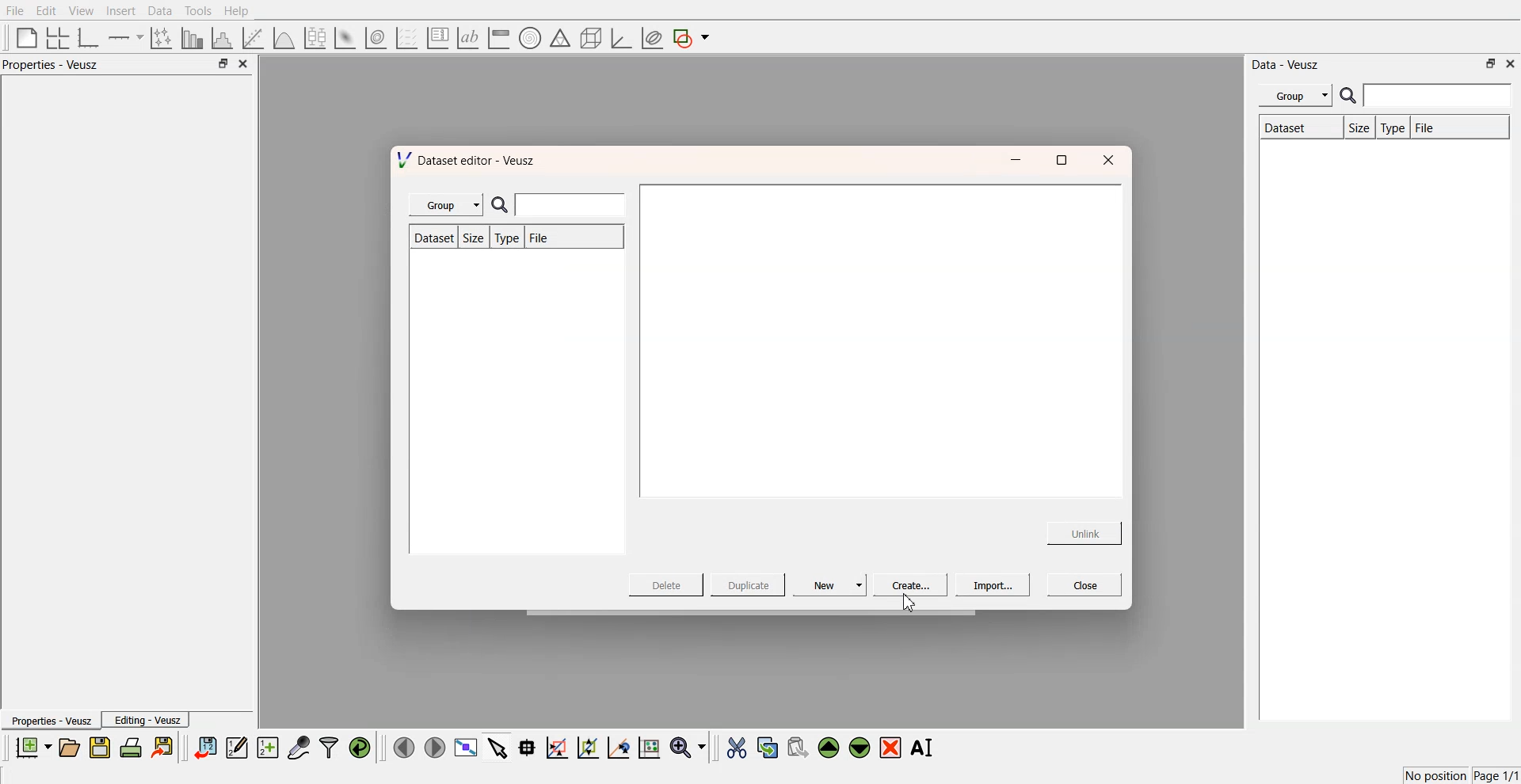 The width and height of the screenshot is (1521, 784). Describe the element at coordinates (556, 746) in the screenshot. I see `draw a rectangle on zoom graph axes` at that location.